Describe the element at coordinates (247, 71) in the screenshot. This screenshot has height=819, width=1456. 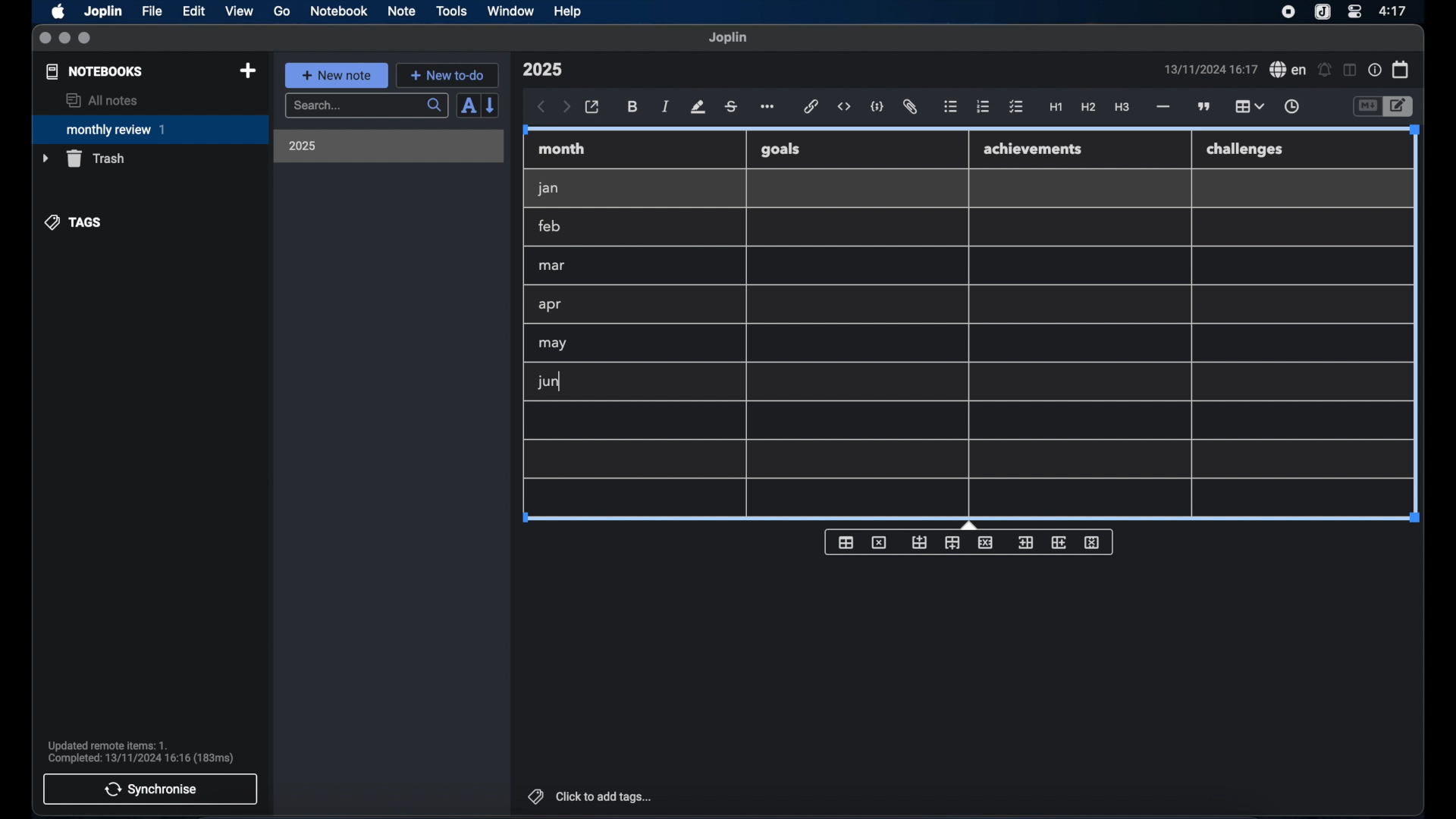
I see `new notebook` at that location.